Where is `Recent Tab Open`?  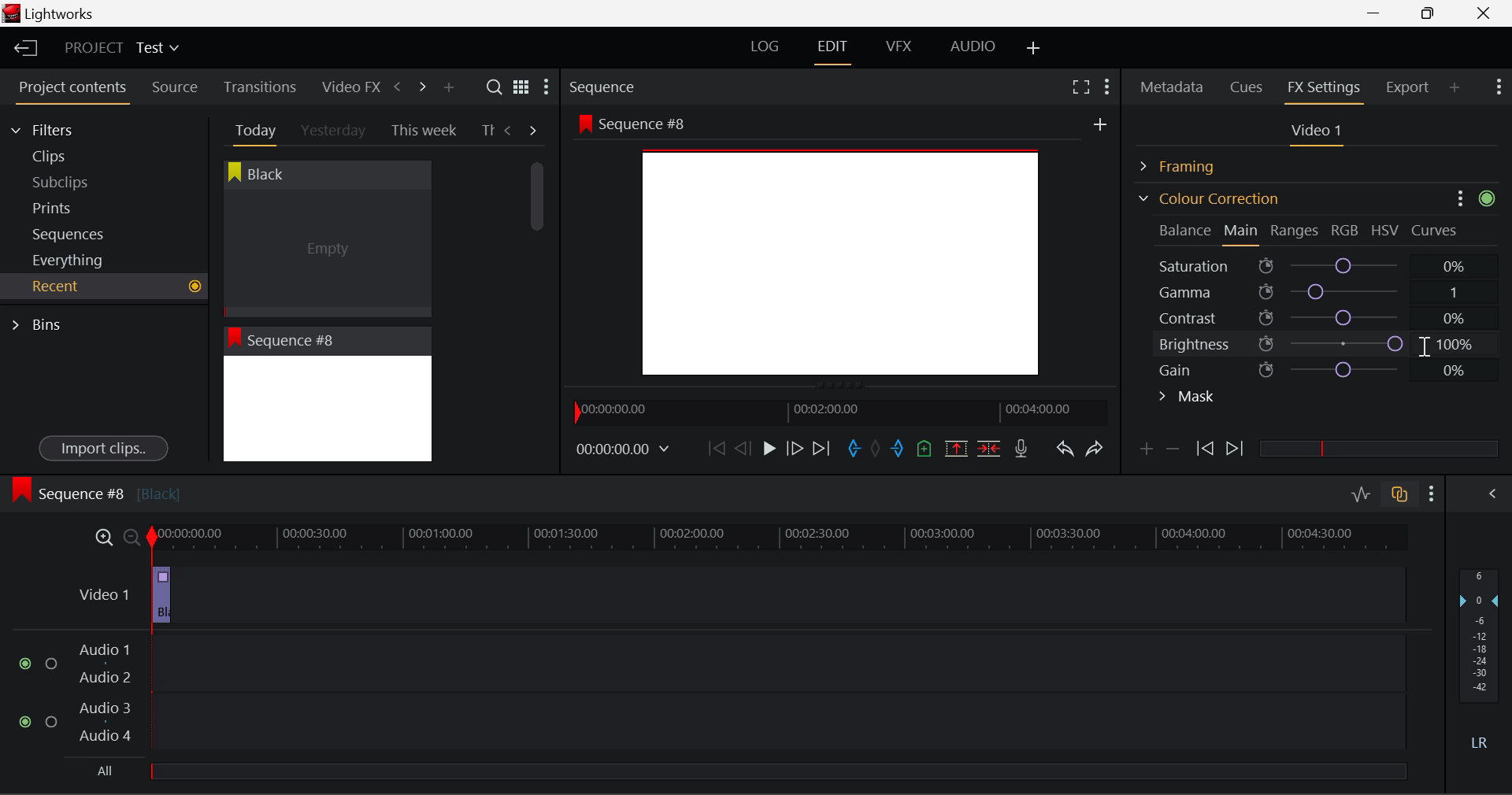
Recent Tab Open is located at coordinates (104, 287).